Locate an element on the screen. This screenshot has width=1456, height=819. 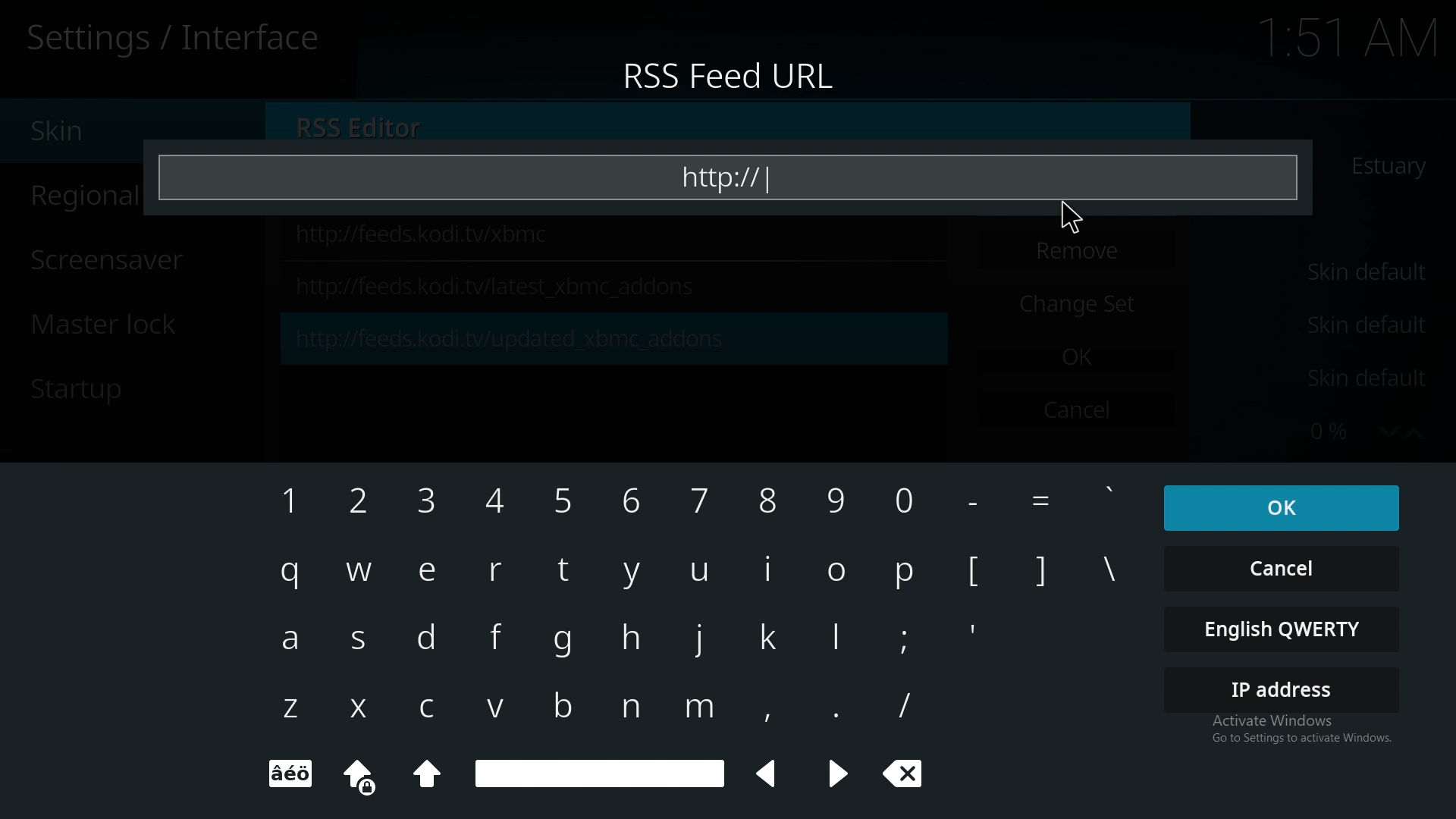
keyboard Input is located at coordinates (837, 504).